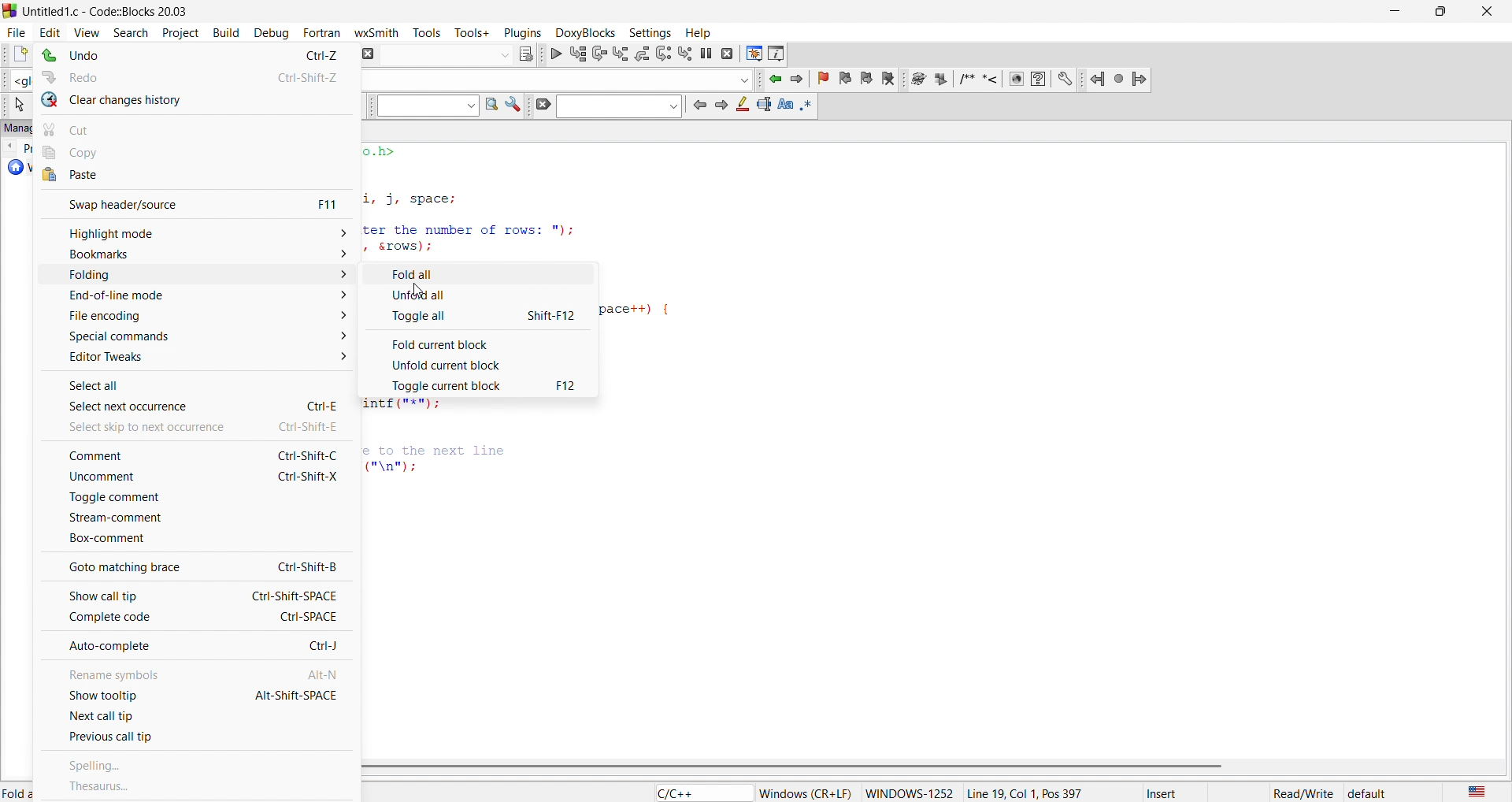  I want to click on select all, so click(197, 381).